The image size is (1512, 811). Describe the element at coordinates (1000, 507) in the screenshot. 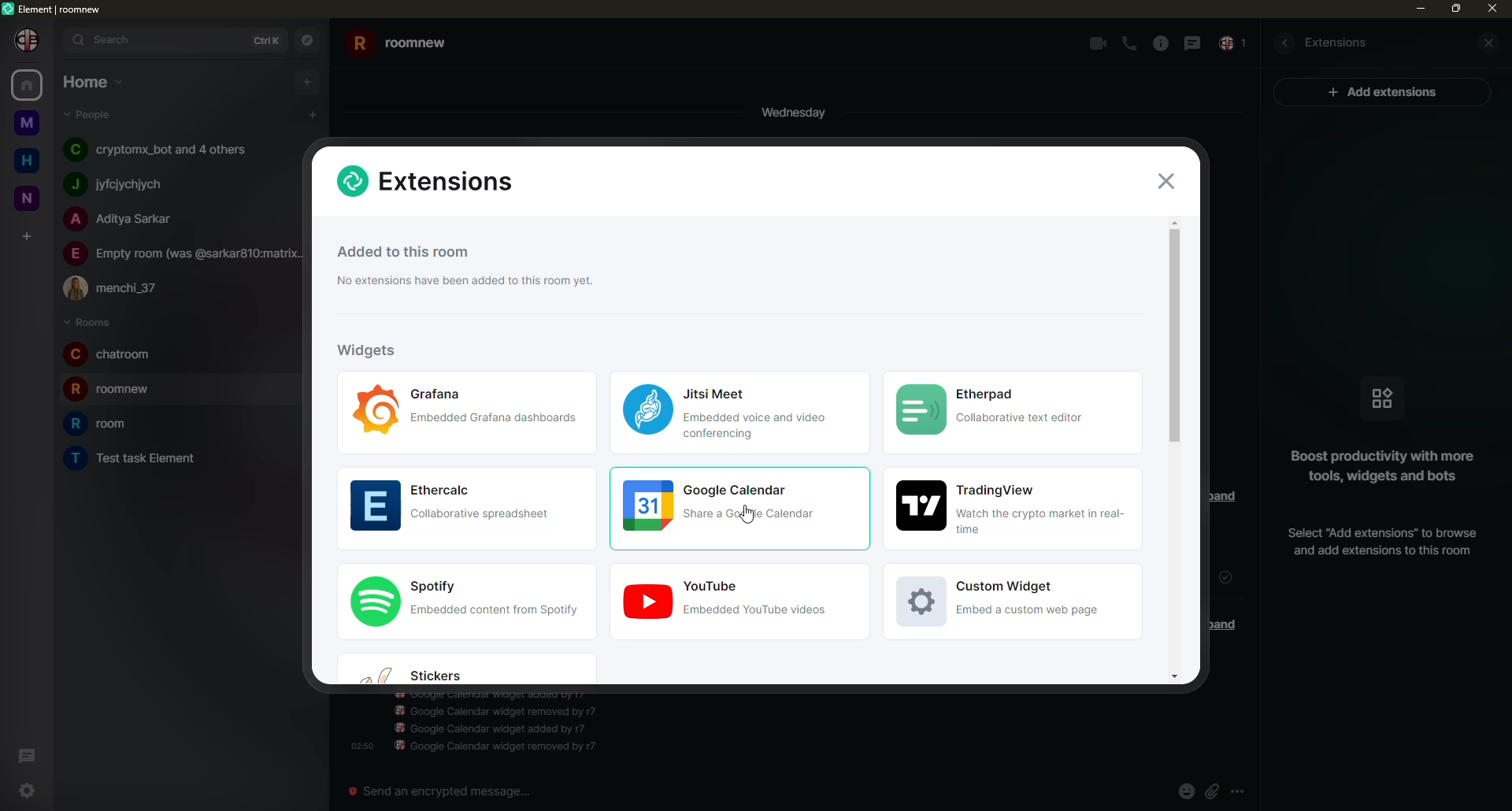

I see `widgets` at that location.